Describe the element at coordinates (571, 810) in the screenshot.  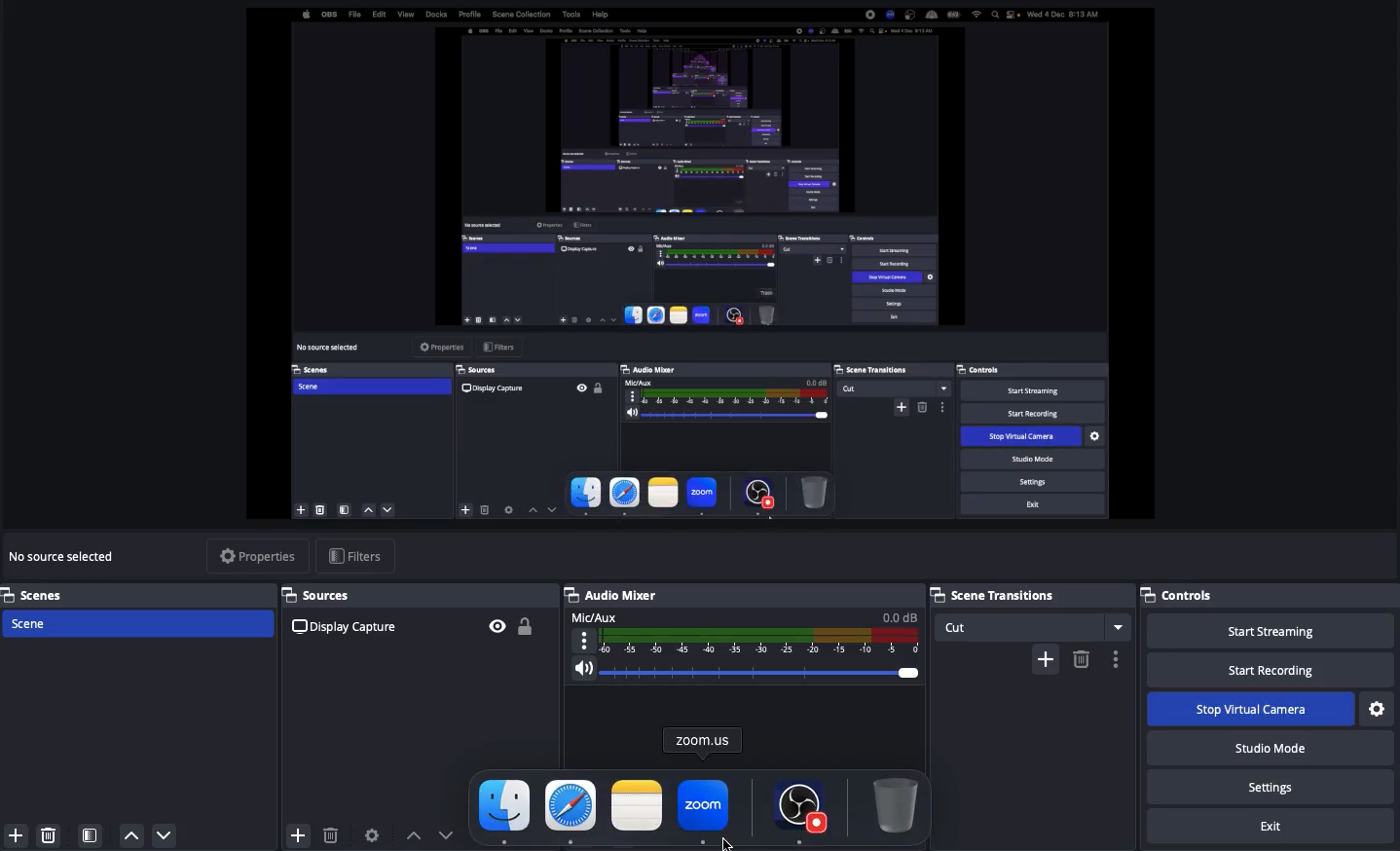
I see `Safari` at that location.